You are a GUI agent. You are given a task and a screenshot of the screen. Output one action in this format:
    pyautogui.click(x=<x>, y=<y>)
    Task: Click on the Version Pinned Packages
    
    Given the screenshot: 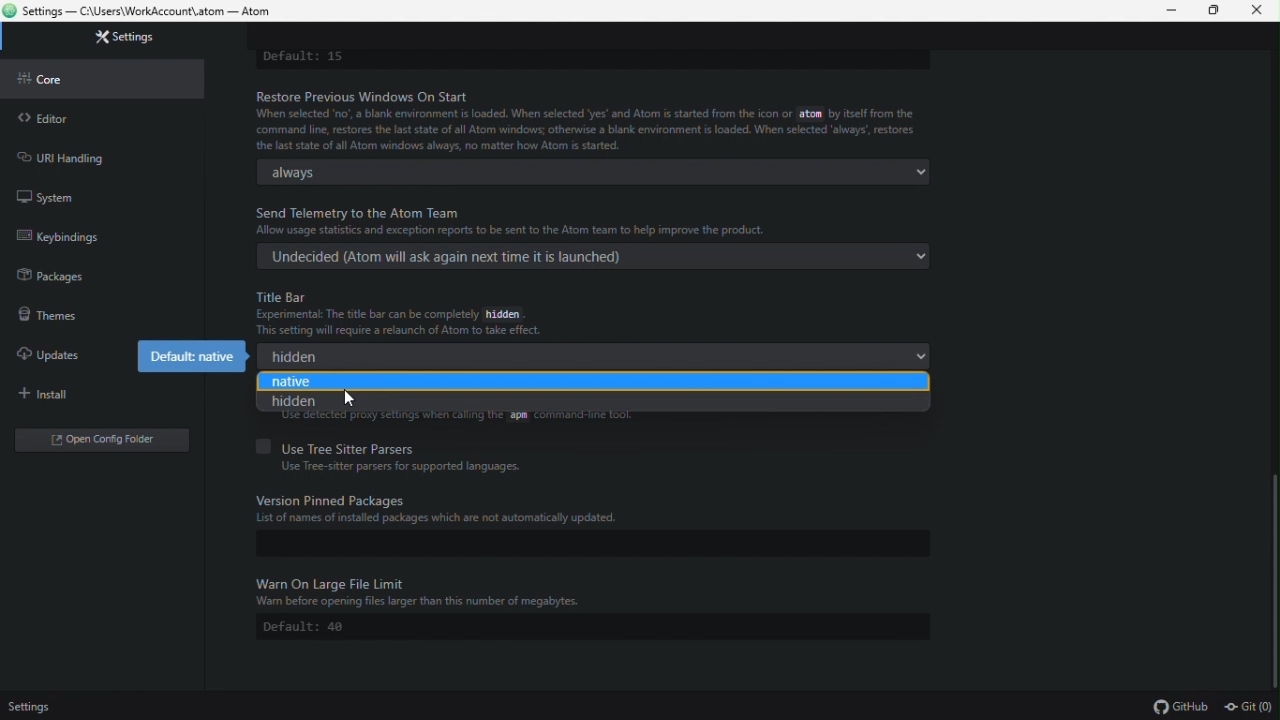 What is the action you would take?
    pyautogui.click(x=337, y=499)
    